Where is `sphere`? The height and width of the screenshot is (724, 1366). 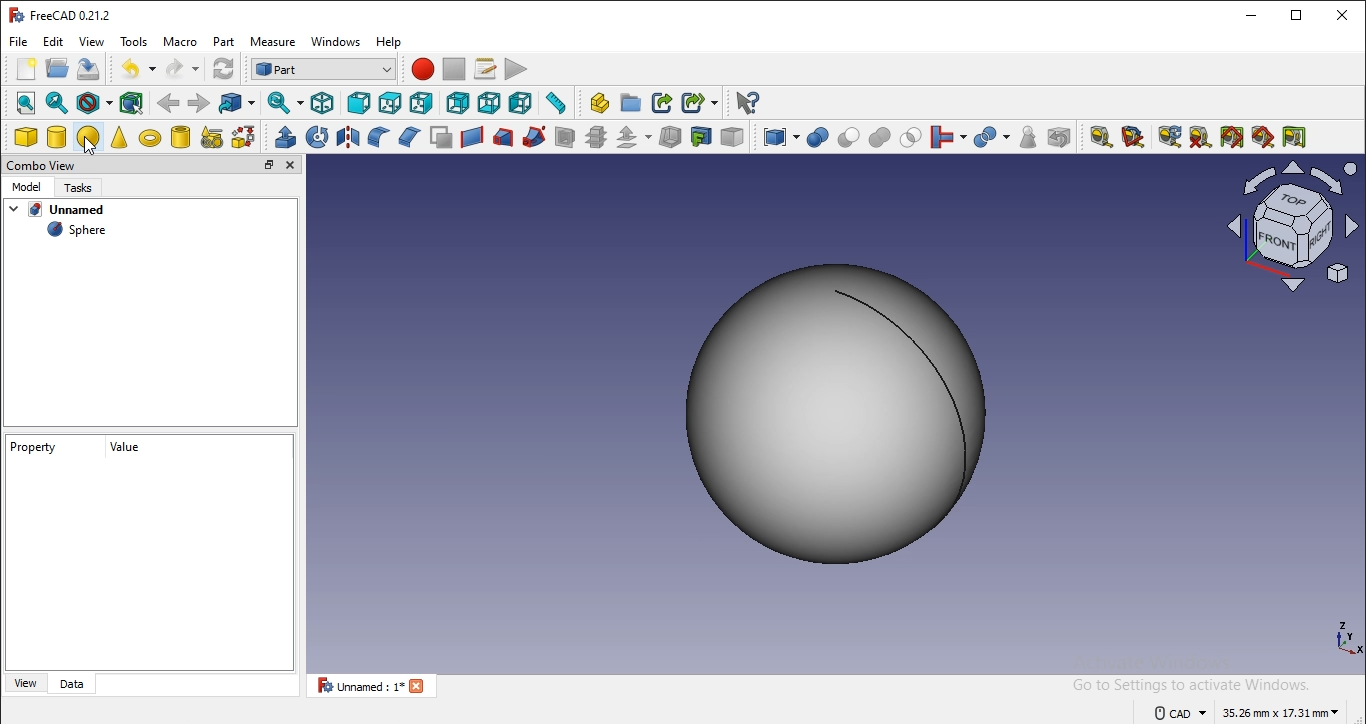
sphere is located at coordinates (78, 231).